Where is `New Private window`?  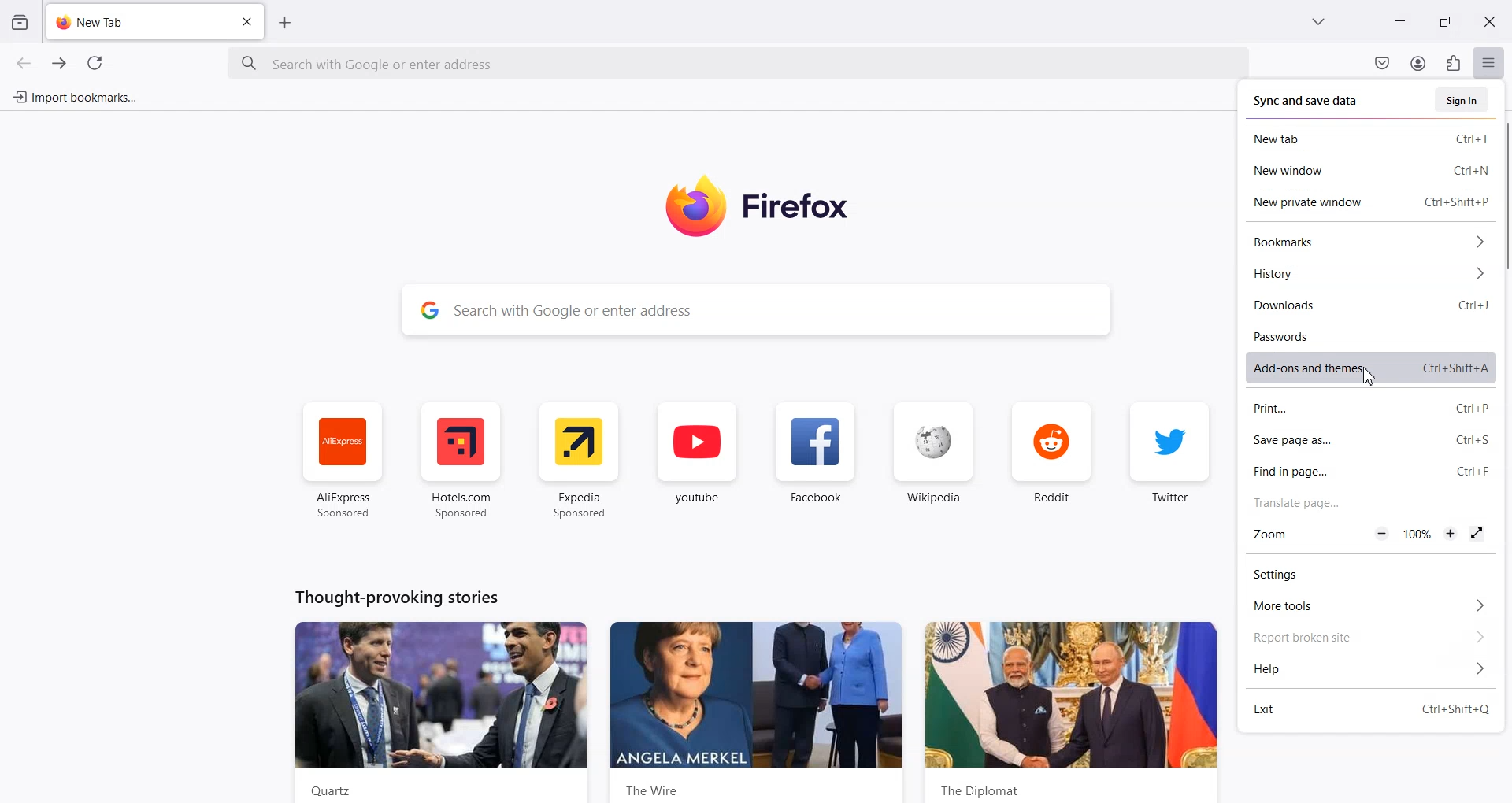
New Private window is located at coordinates (1369, 199).